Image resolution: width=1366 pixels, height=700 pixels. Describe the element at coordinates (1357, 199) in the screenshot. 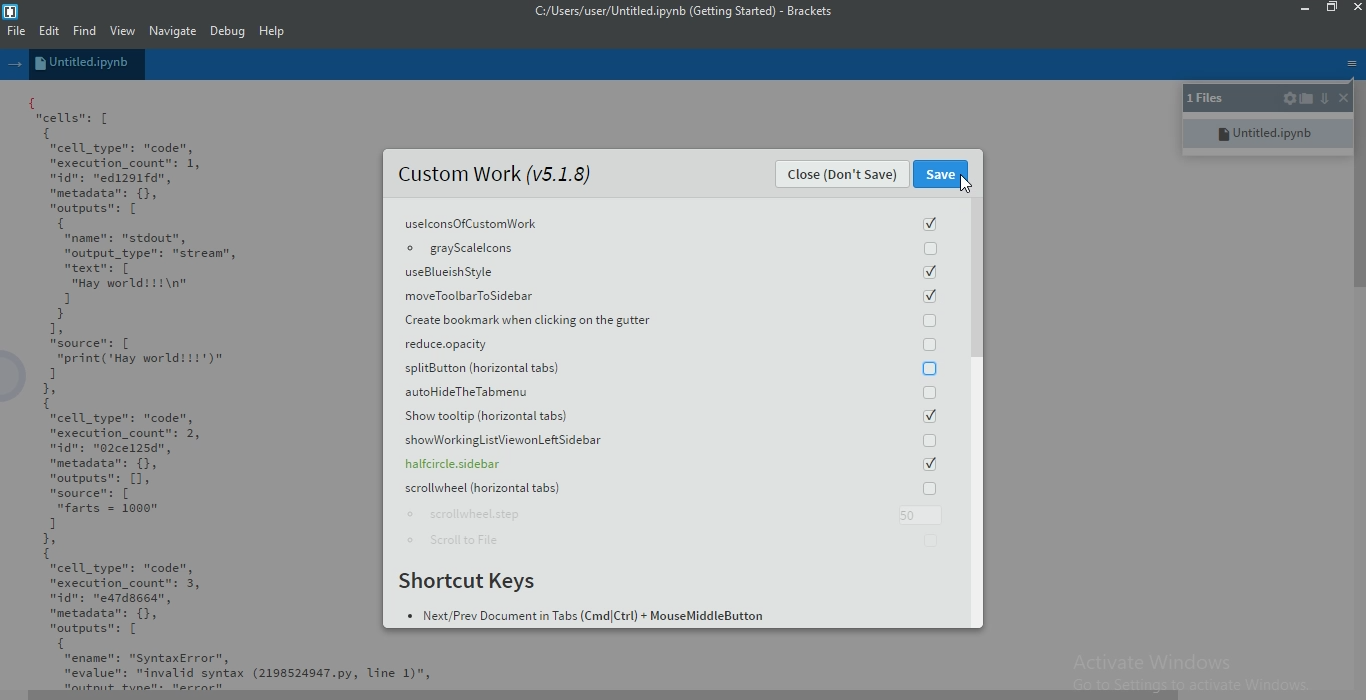

I see `scroll bar` at that location.